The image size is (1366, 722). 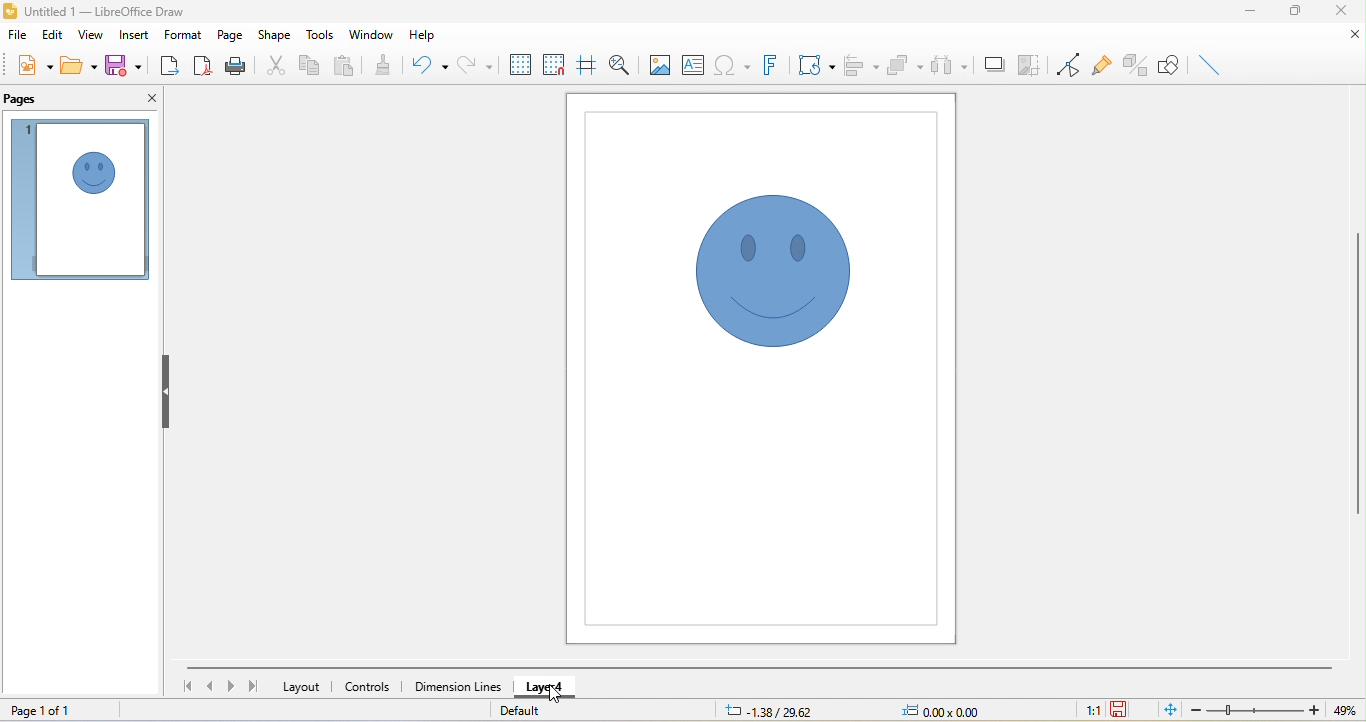 I want to click on format, so click(x=184, y=35).